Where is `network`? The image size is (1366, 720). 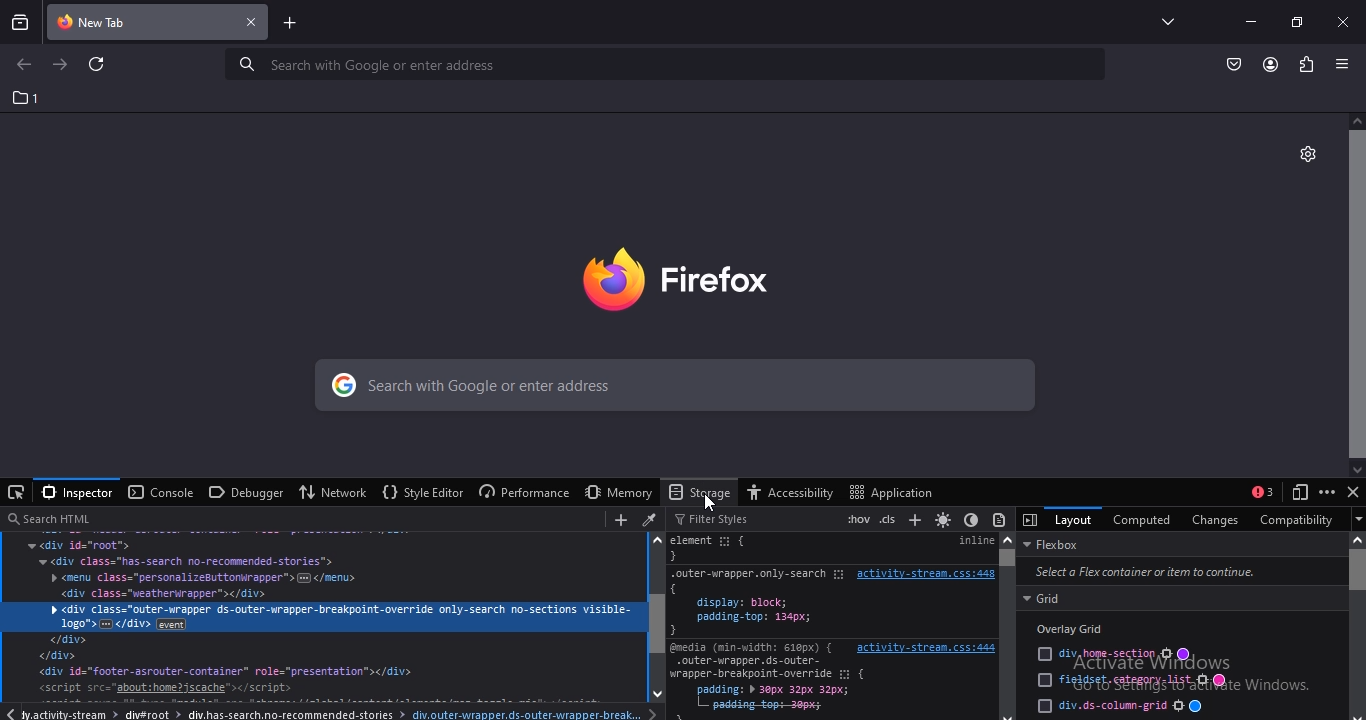 network is located at coordinates (335, 491).